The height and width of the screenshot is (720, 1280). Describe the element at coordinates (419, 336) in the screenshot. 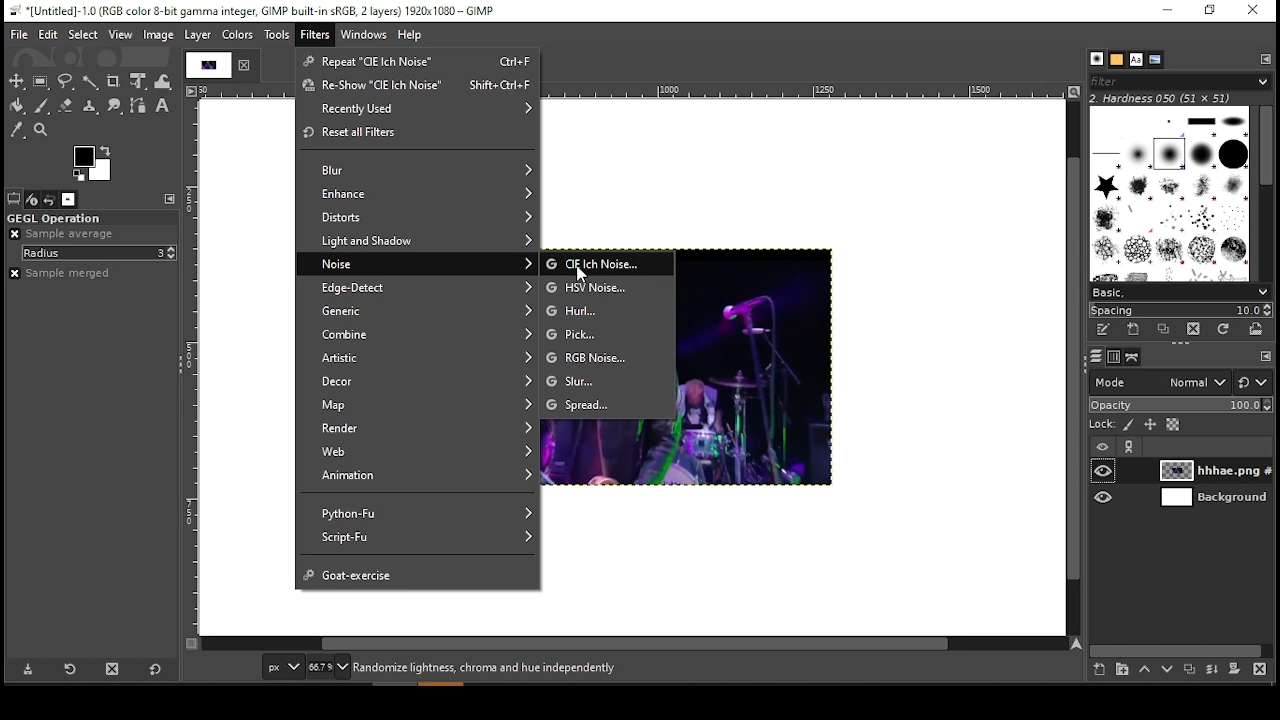

I see `combine` at that location.